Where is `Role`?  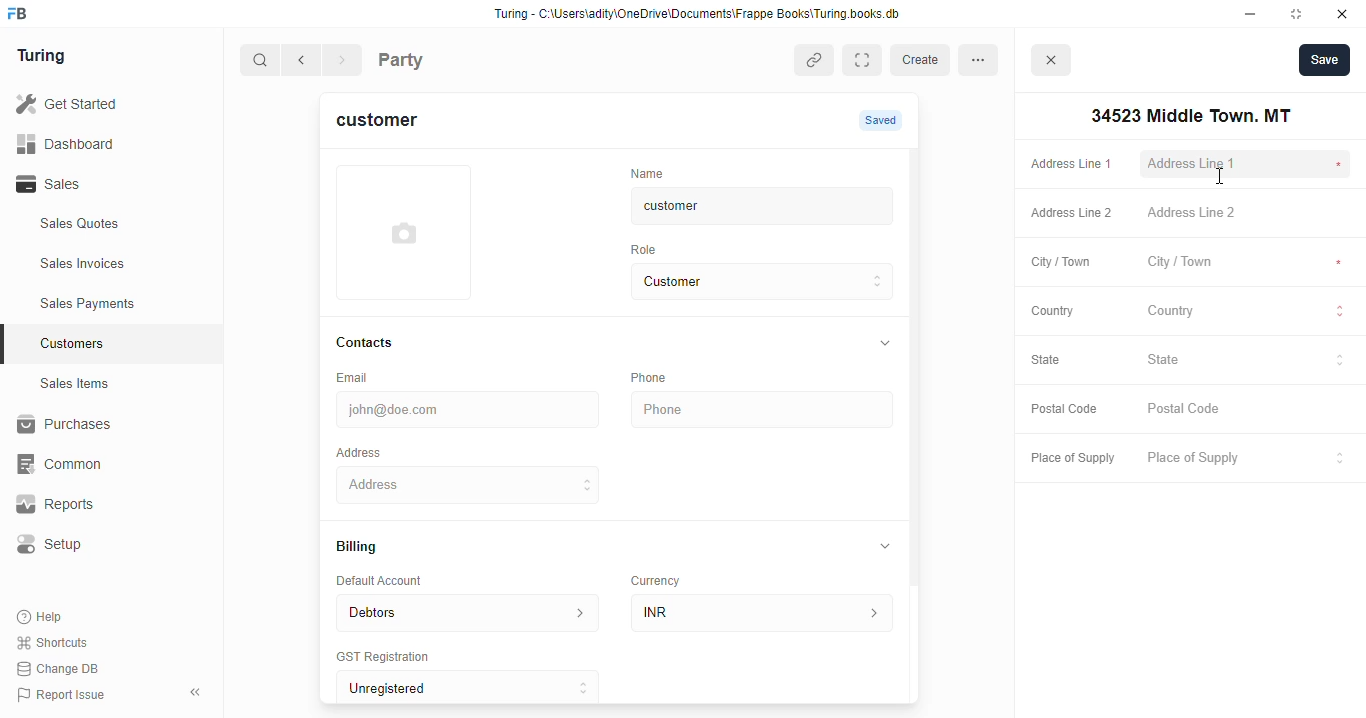 Role is located at coordinates (650, 249).